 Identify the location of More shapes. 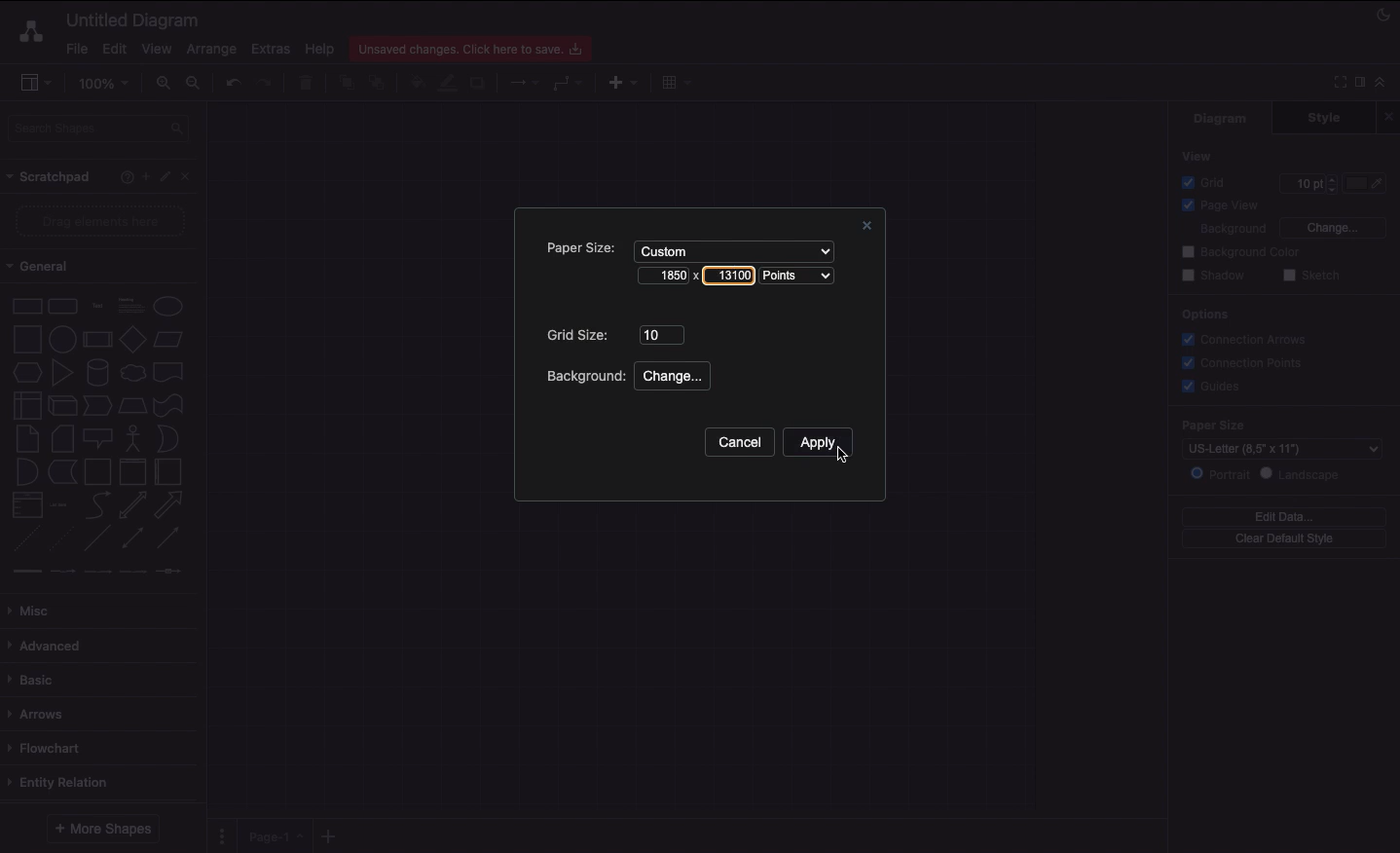
(101, 829).